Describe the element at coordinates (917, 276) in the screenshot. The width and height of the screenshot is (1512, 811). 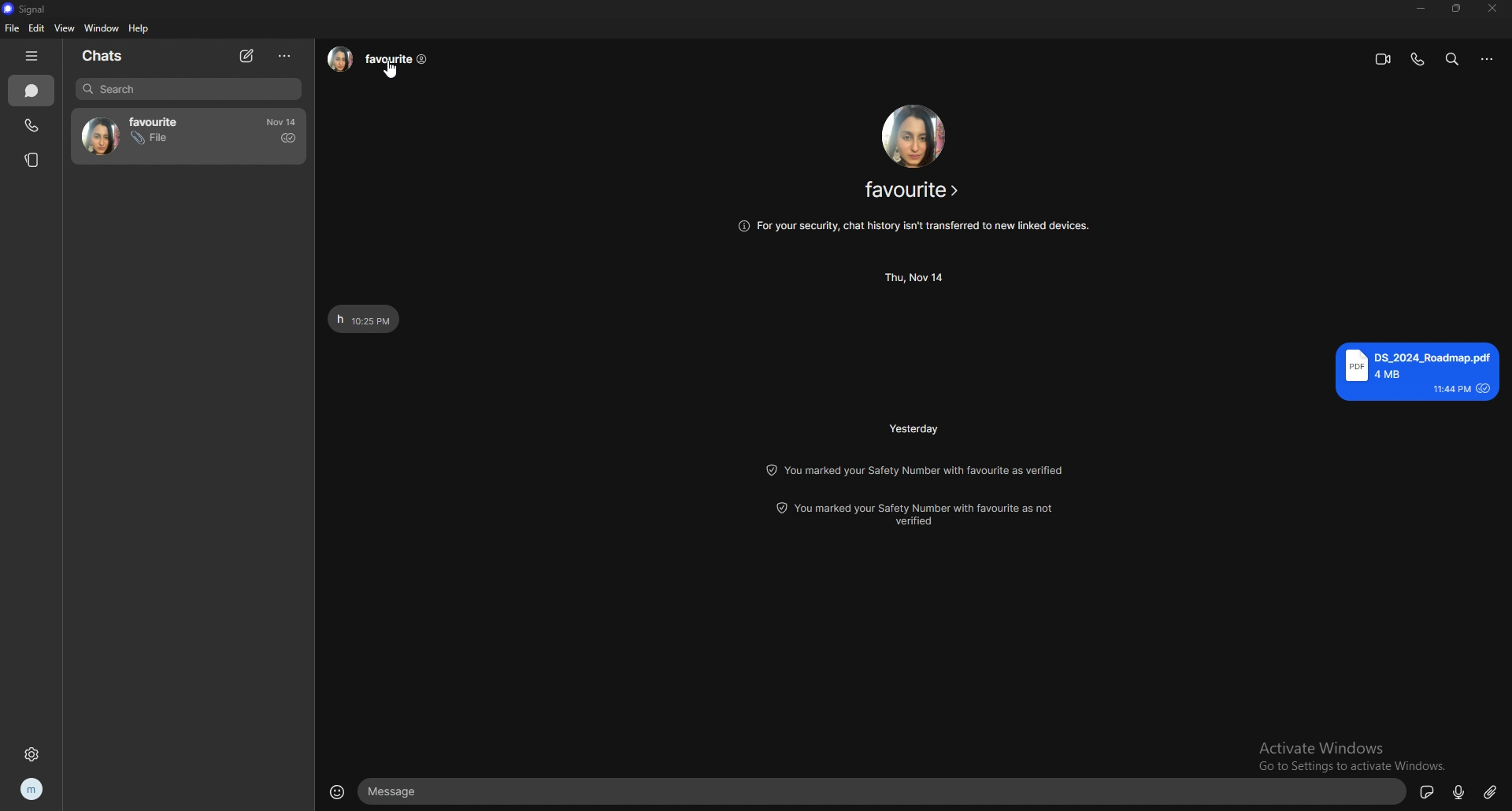
I see `time` at that location.